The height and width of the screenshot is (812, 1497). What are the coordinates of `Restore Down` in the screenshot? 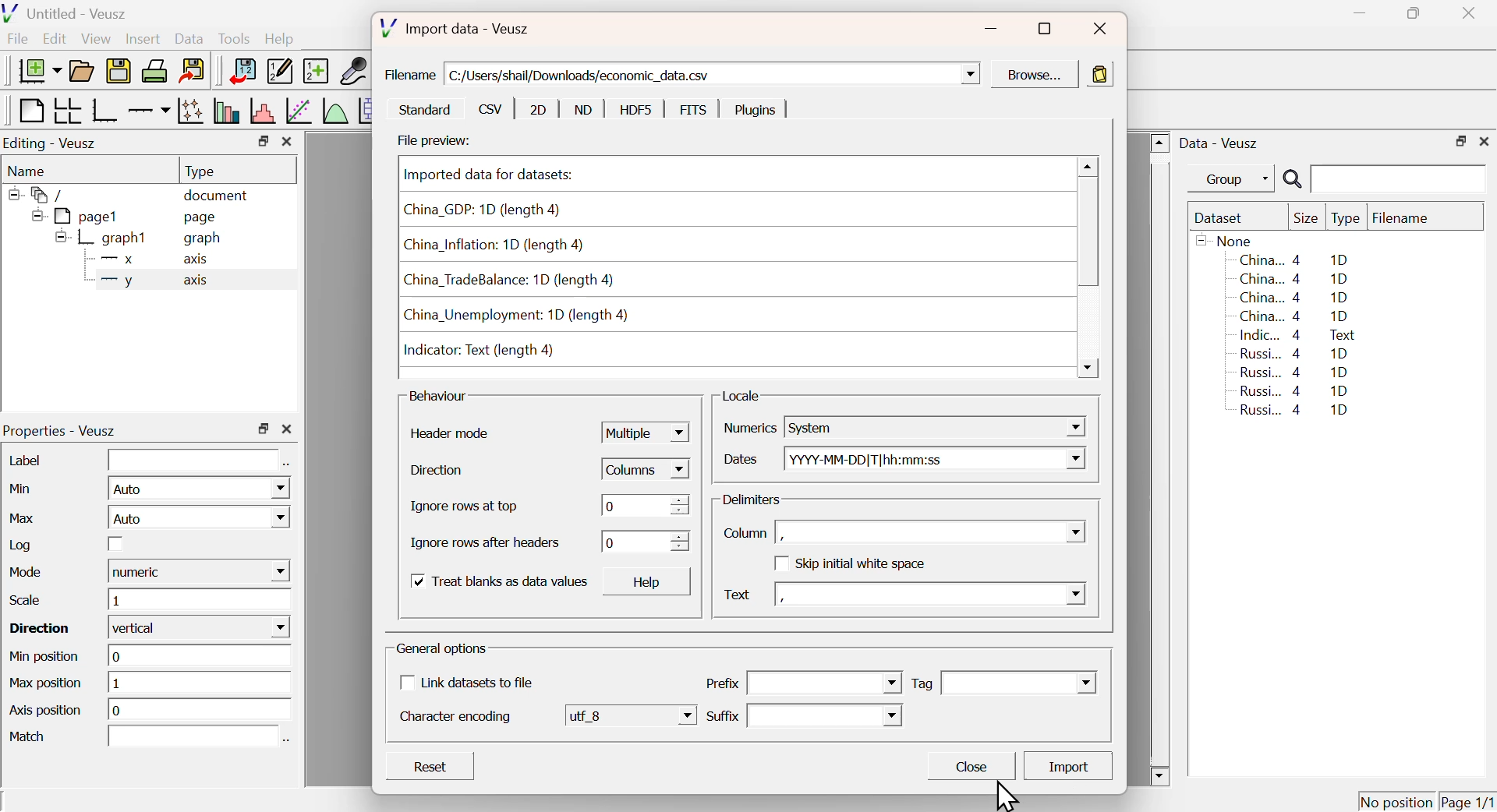 It's located at (263, 141).